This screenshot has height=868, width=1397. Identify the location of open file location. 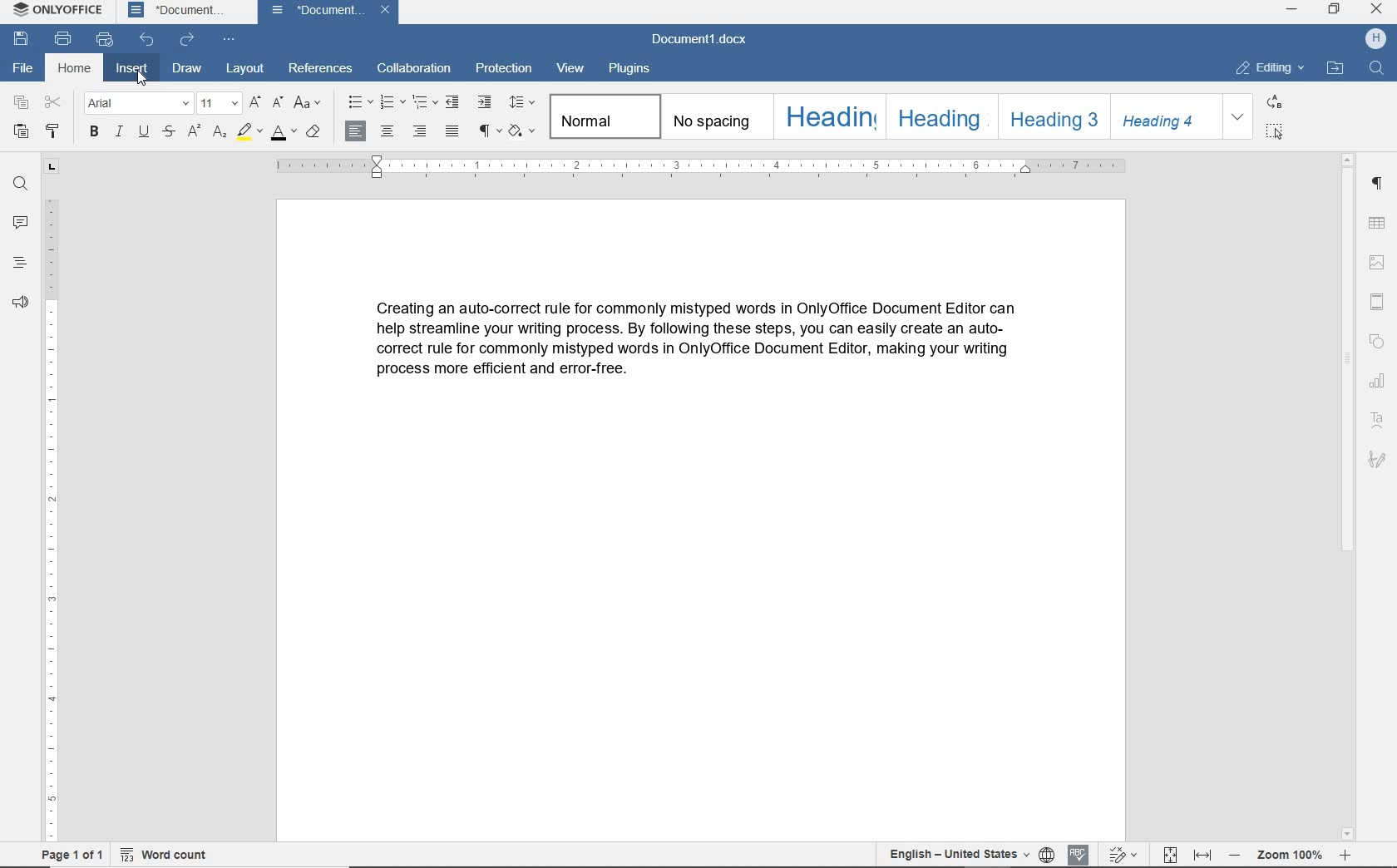
(1335, 67).